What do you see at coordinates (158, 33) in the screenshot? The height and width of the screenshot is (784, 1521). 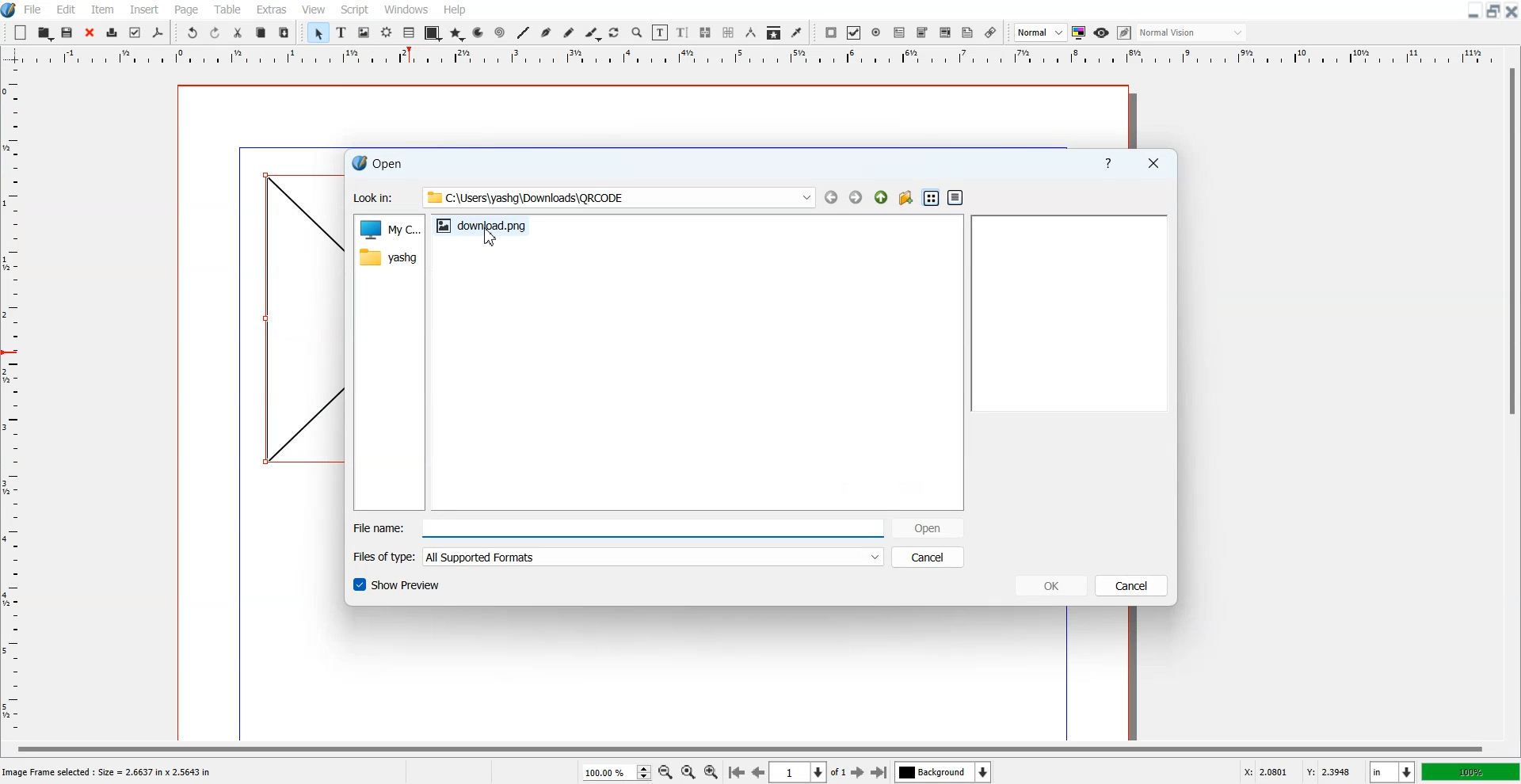 I see `Save As PDF` at bounding box center [158, 33].